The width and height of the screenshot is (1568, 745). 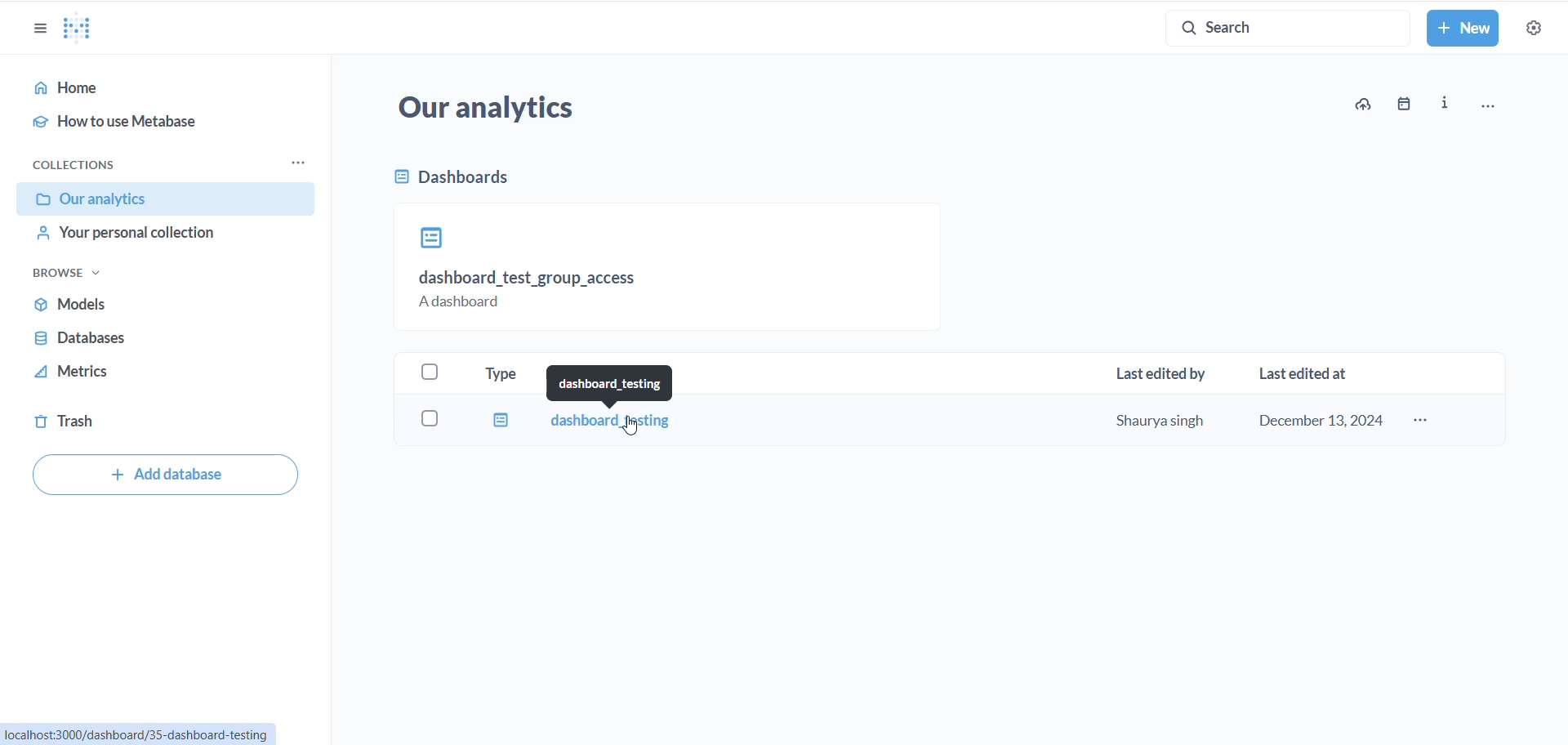 I want to click on our analytics, so click(x=506, y=111).